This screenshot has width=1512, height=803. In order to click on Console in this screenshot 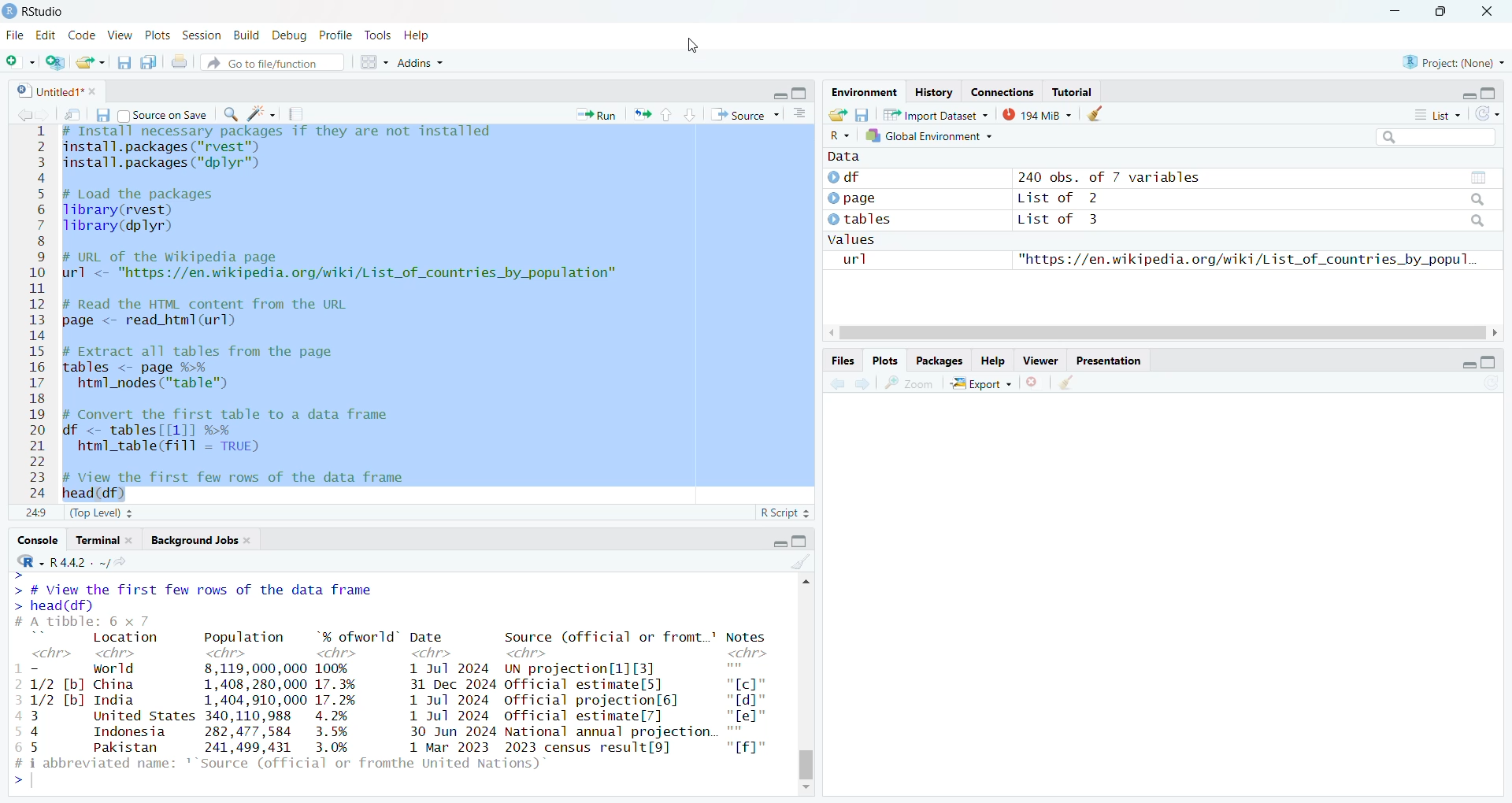, I will do `click(37, 541)`.